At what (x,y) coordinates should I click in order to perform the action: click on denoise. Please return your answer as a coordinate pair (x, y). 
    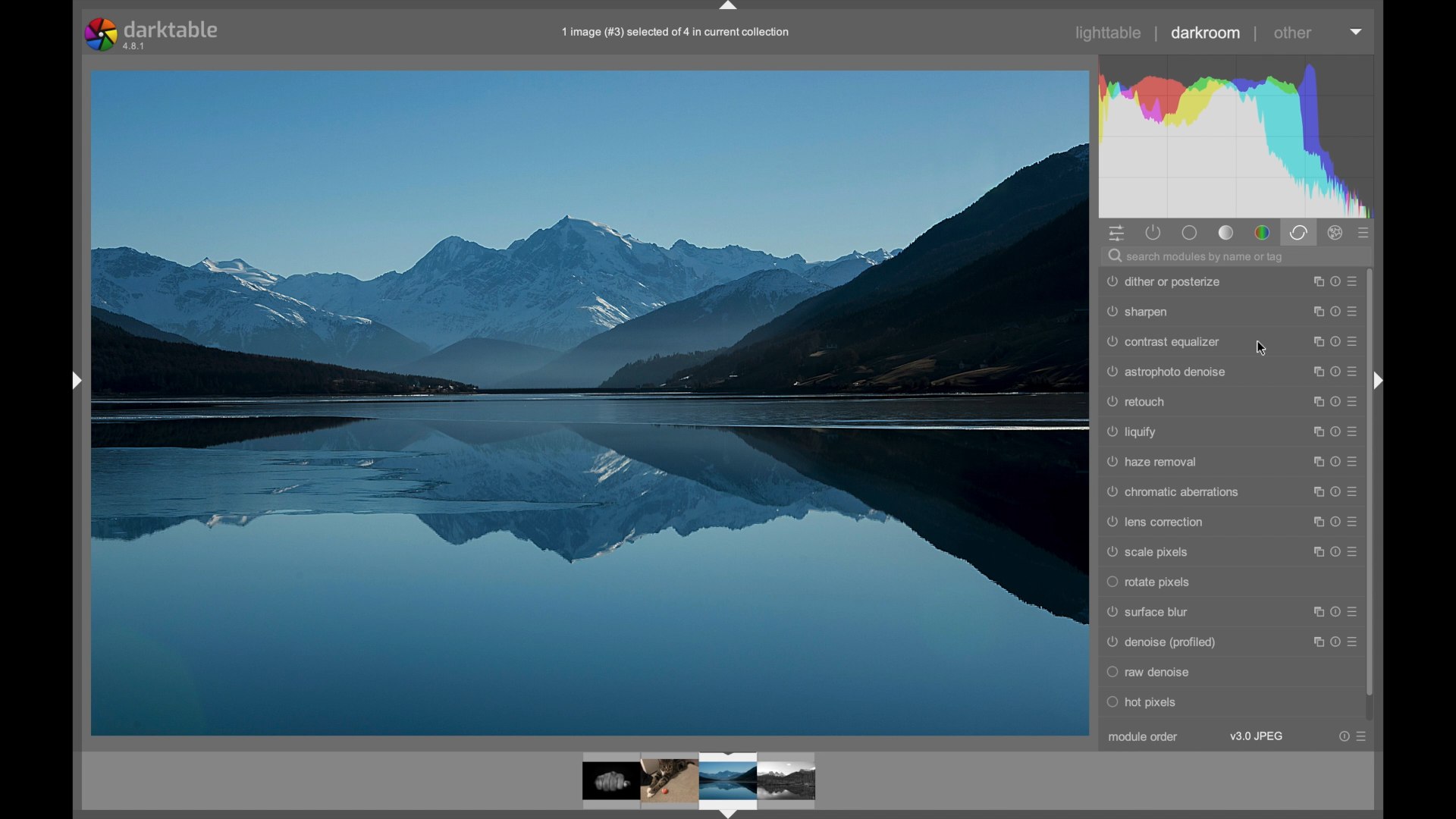
    Looking at the image, I should click on (1161, 642).